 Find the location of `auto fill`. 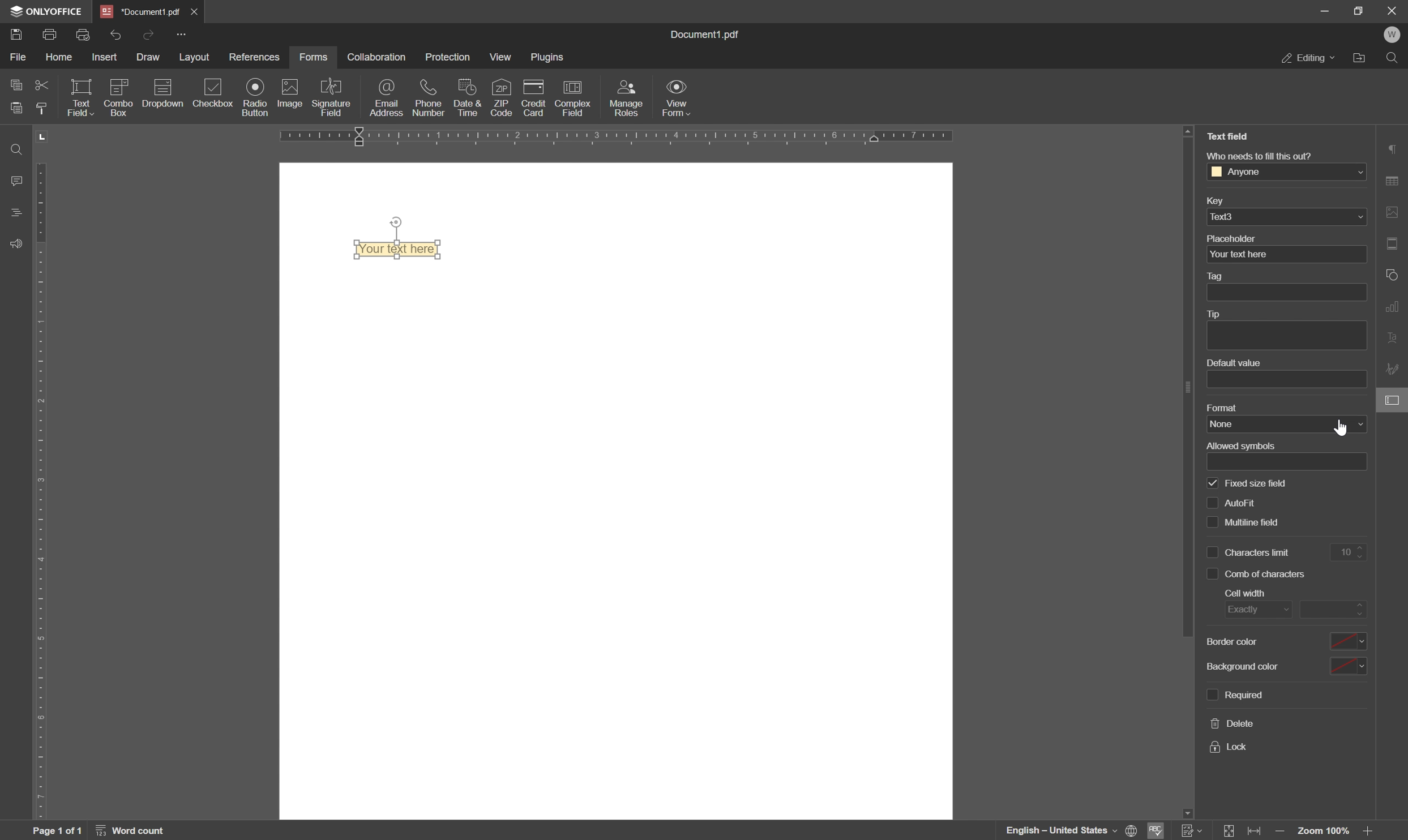

auto fill is located at coordinates (1246, 504).